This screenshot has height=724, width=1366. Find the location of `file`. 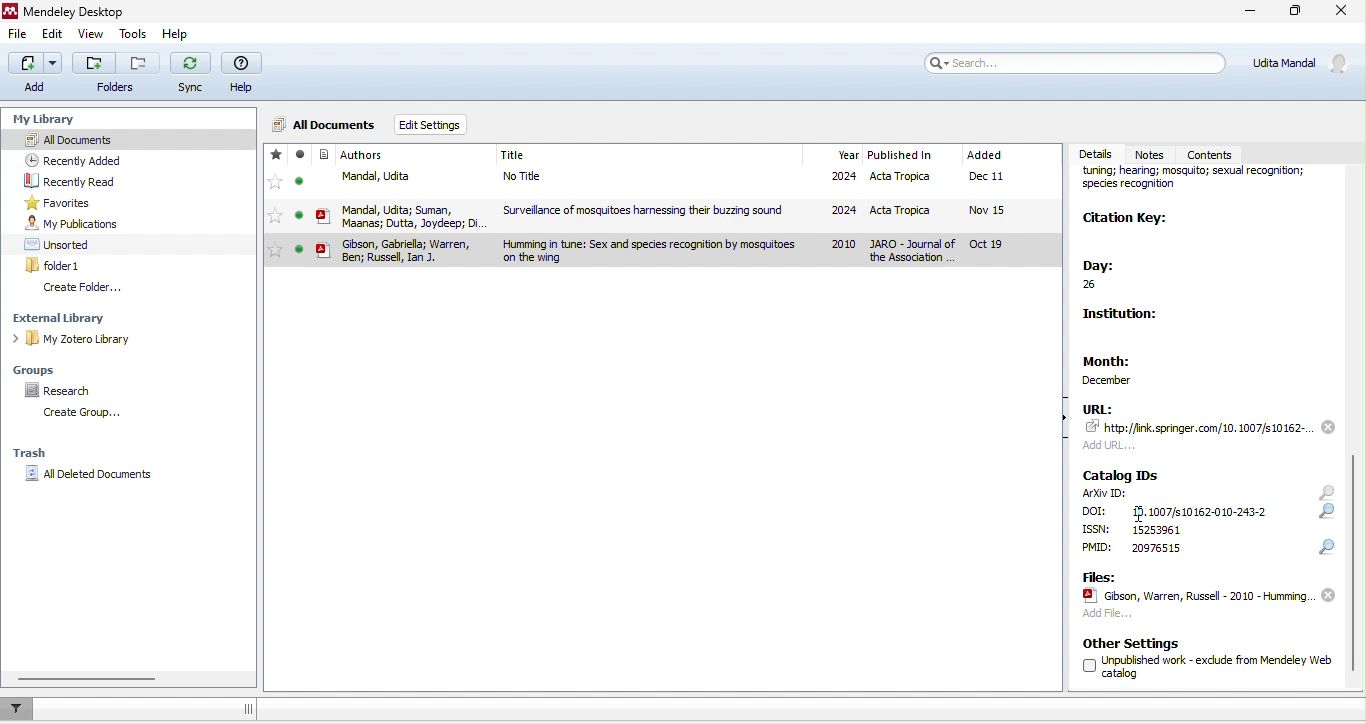

file is located at coordinates (700, 179).